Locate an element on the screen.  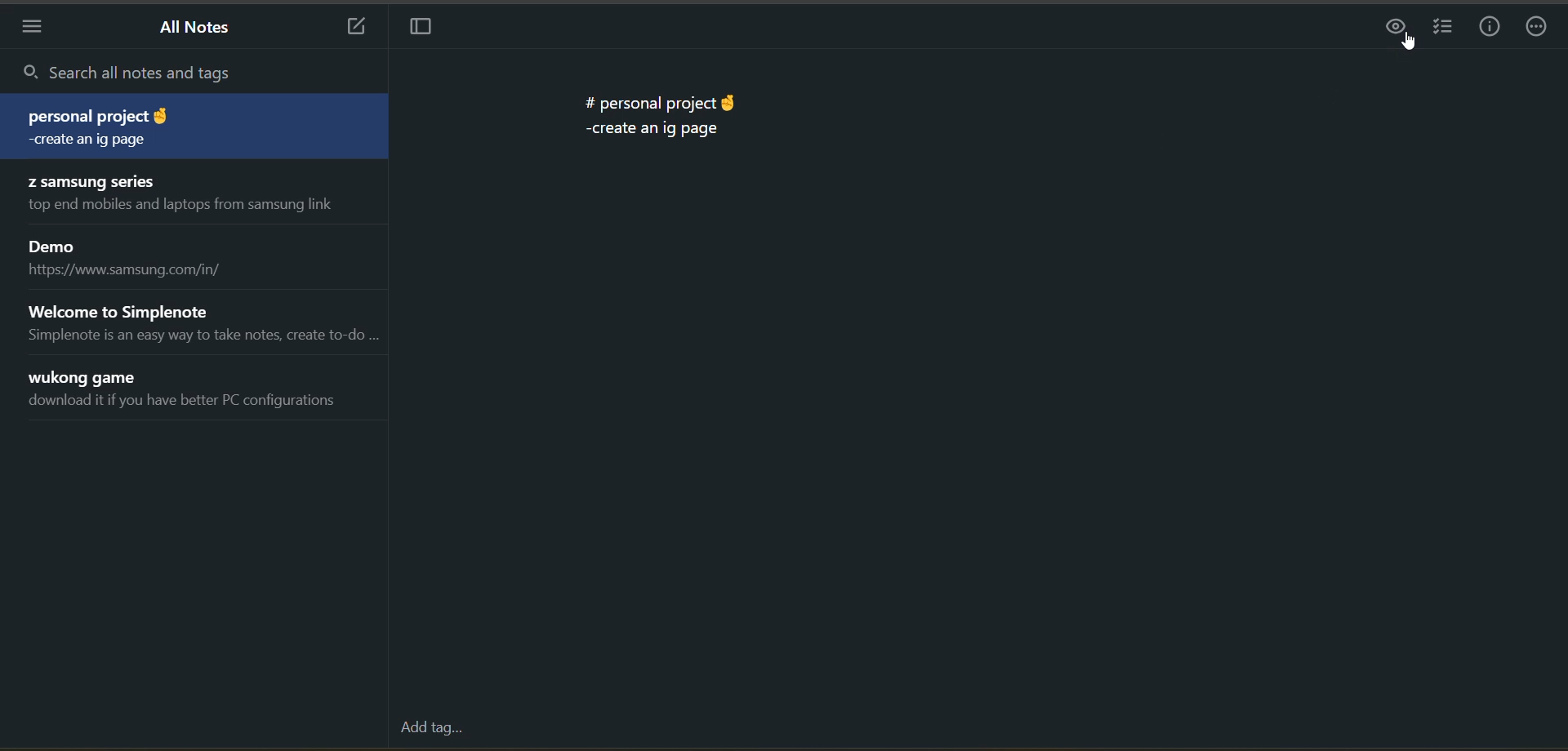
menu is located at coordinates (29, 29).